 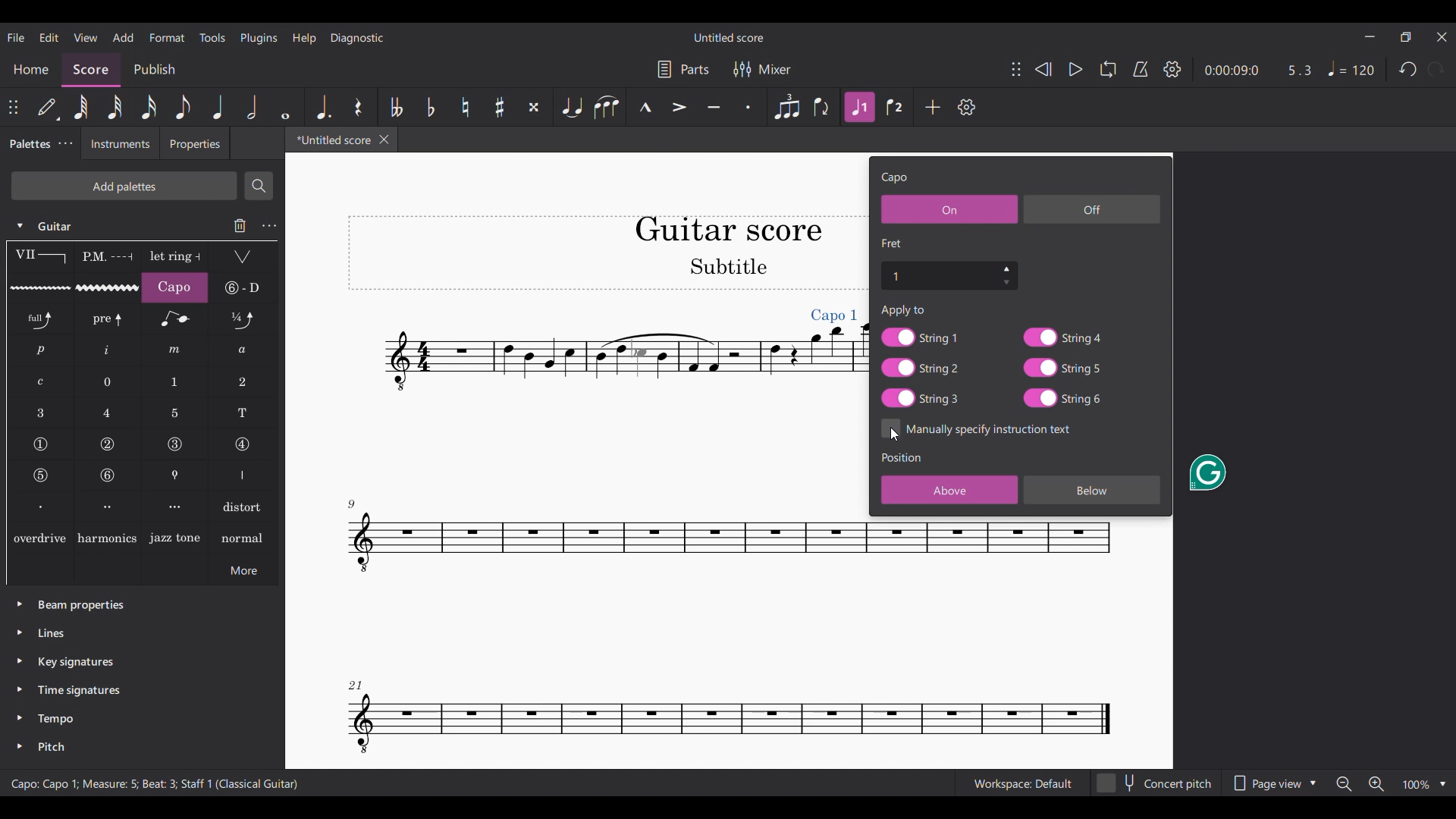 What do you see at coordinates (269, 226) in the screenshot?
I see `Guitar settings` at bounding box center [269, 226].